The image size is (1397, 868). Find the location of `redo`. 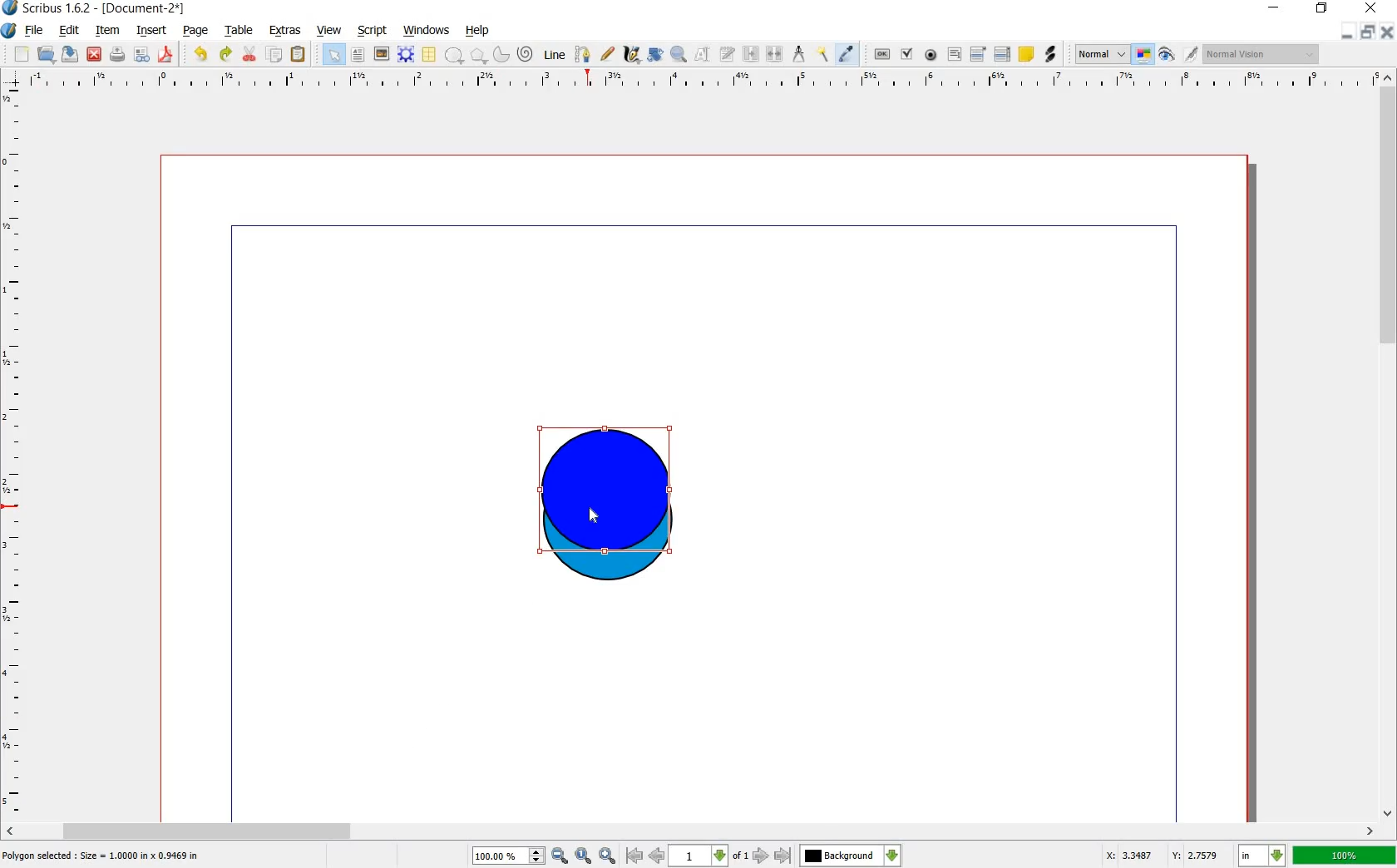

redo is located at coordinates (225, 55).